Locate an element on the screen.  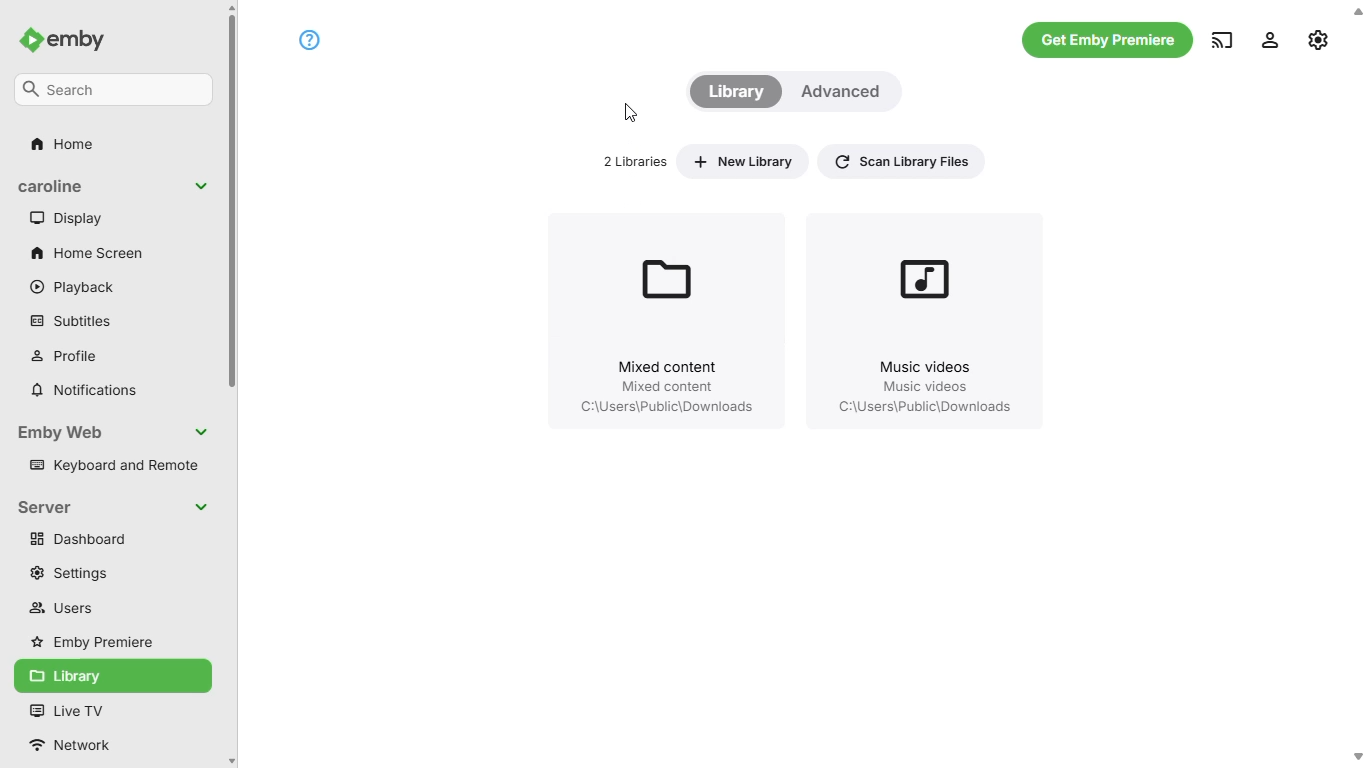
help is located at coordinates (311, 38).